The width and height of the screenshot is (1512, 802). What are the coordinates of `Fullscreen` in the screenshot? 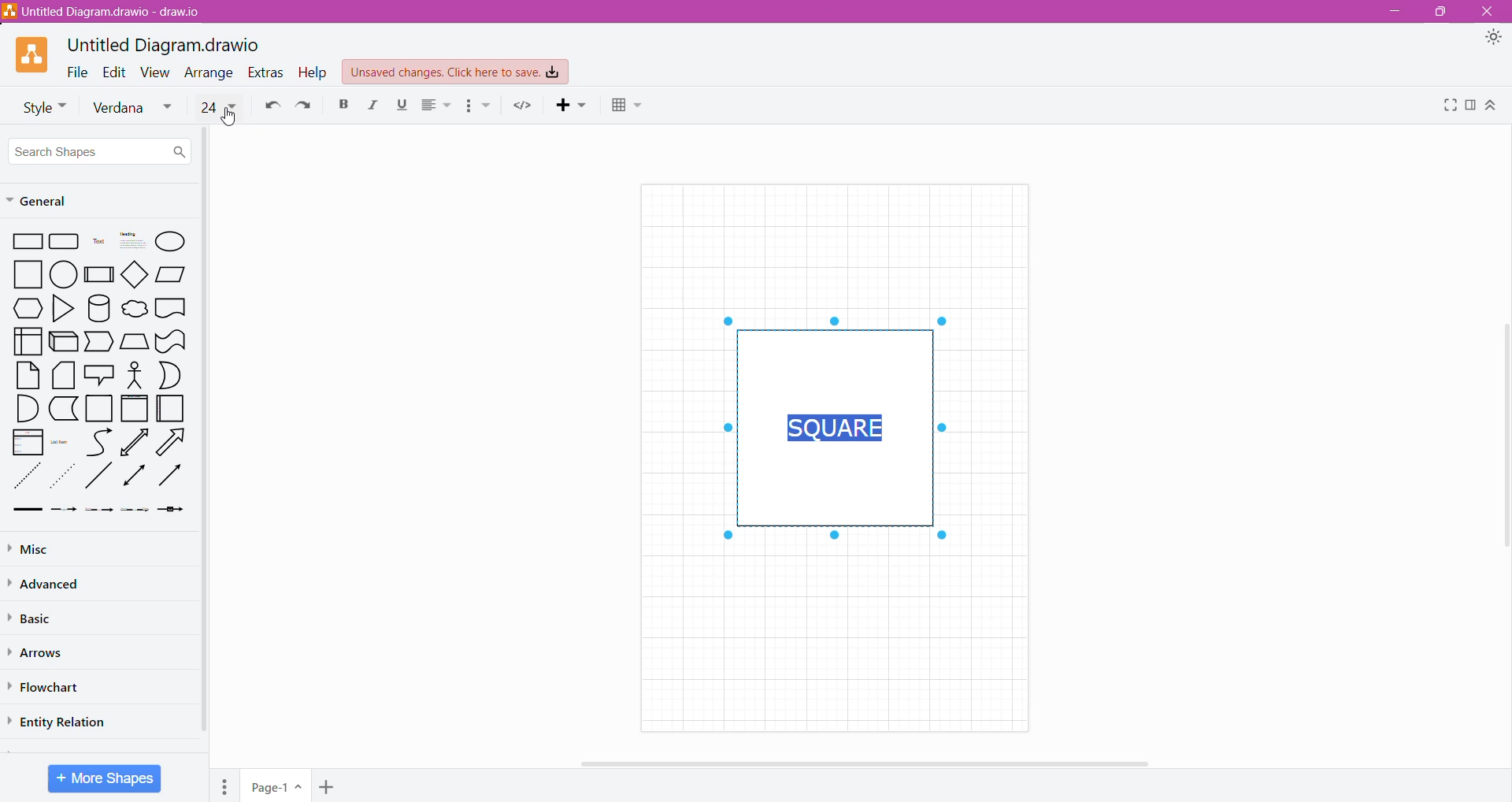 It's located at (1446, 108).